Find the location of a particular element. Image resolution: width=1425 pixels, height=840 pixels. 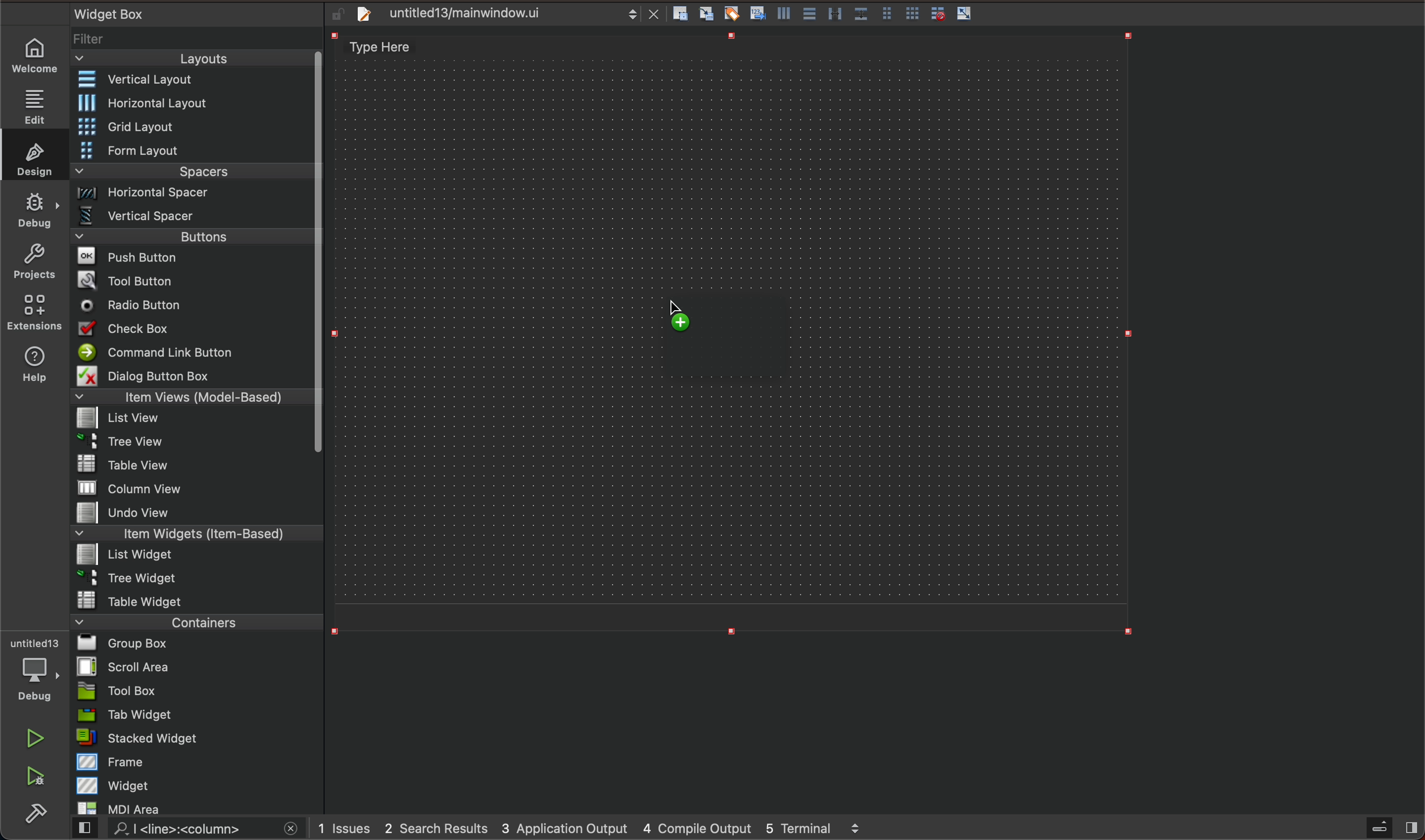

tree widget is located at coordinates (193, 578).